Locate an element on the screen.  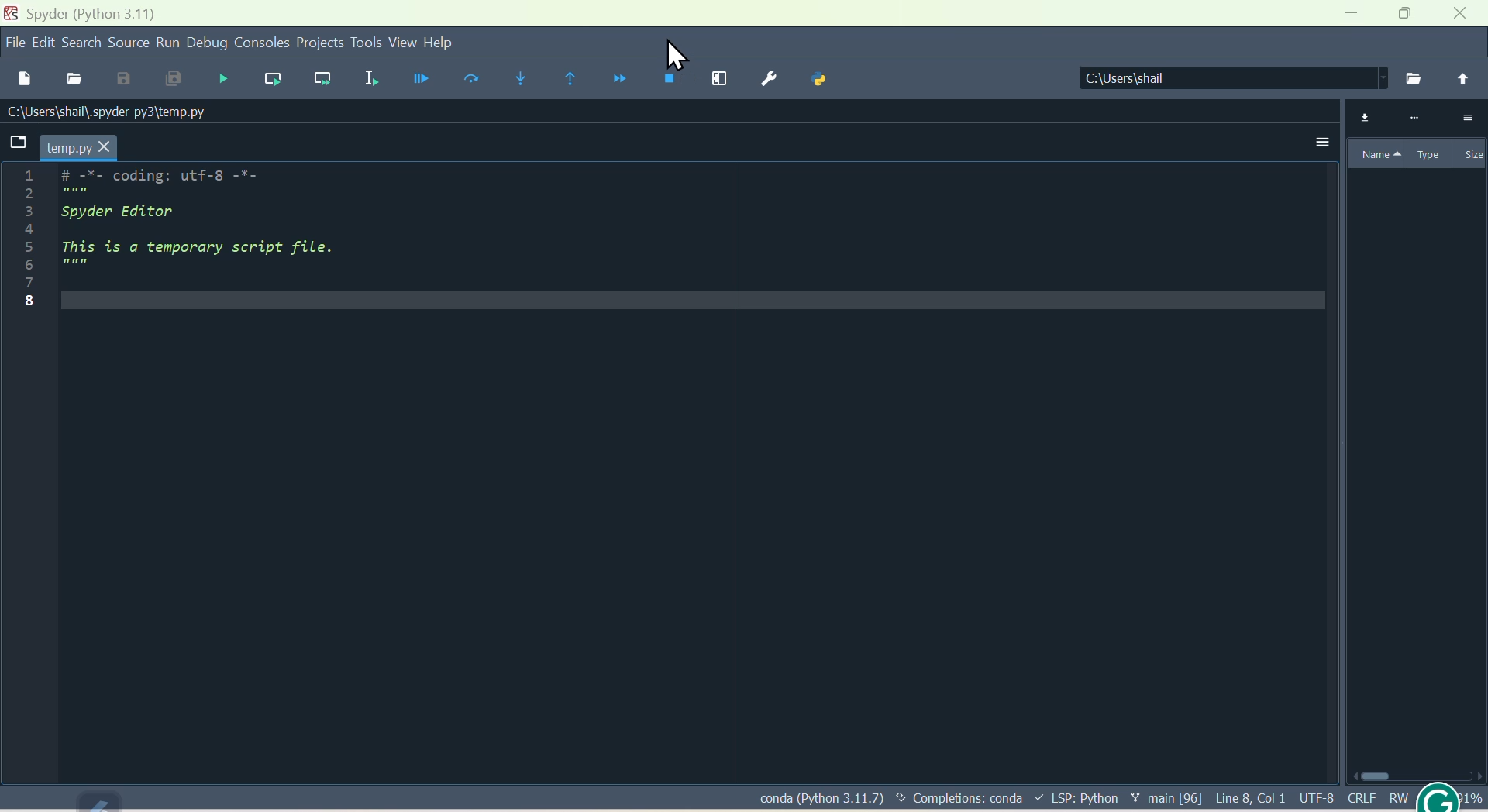
Location of the file - C:\Users\shail\.spyder-py3\temp.py is located at coordinates (129, 112).